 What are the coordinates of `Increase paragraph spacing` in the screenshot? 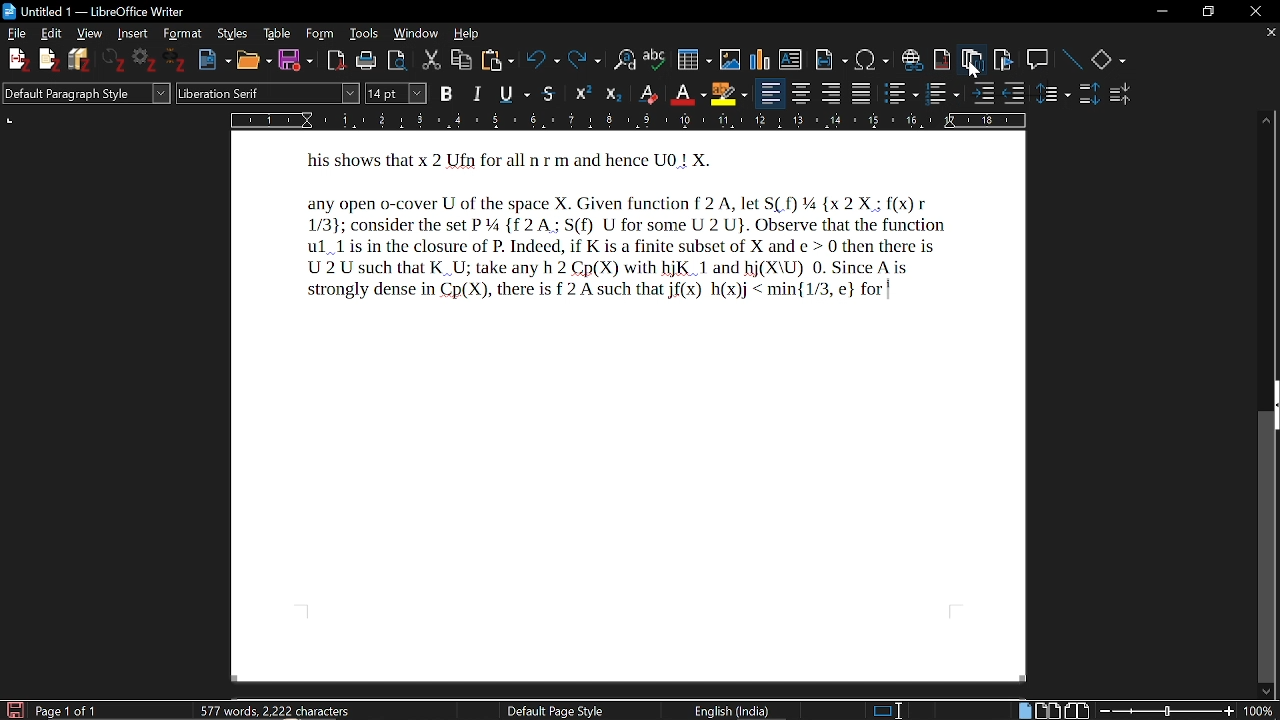 It's located at (1090, 96).